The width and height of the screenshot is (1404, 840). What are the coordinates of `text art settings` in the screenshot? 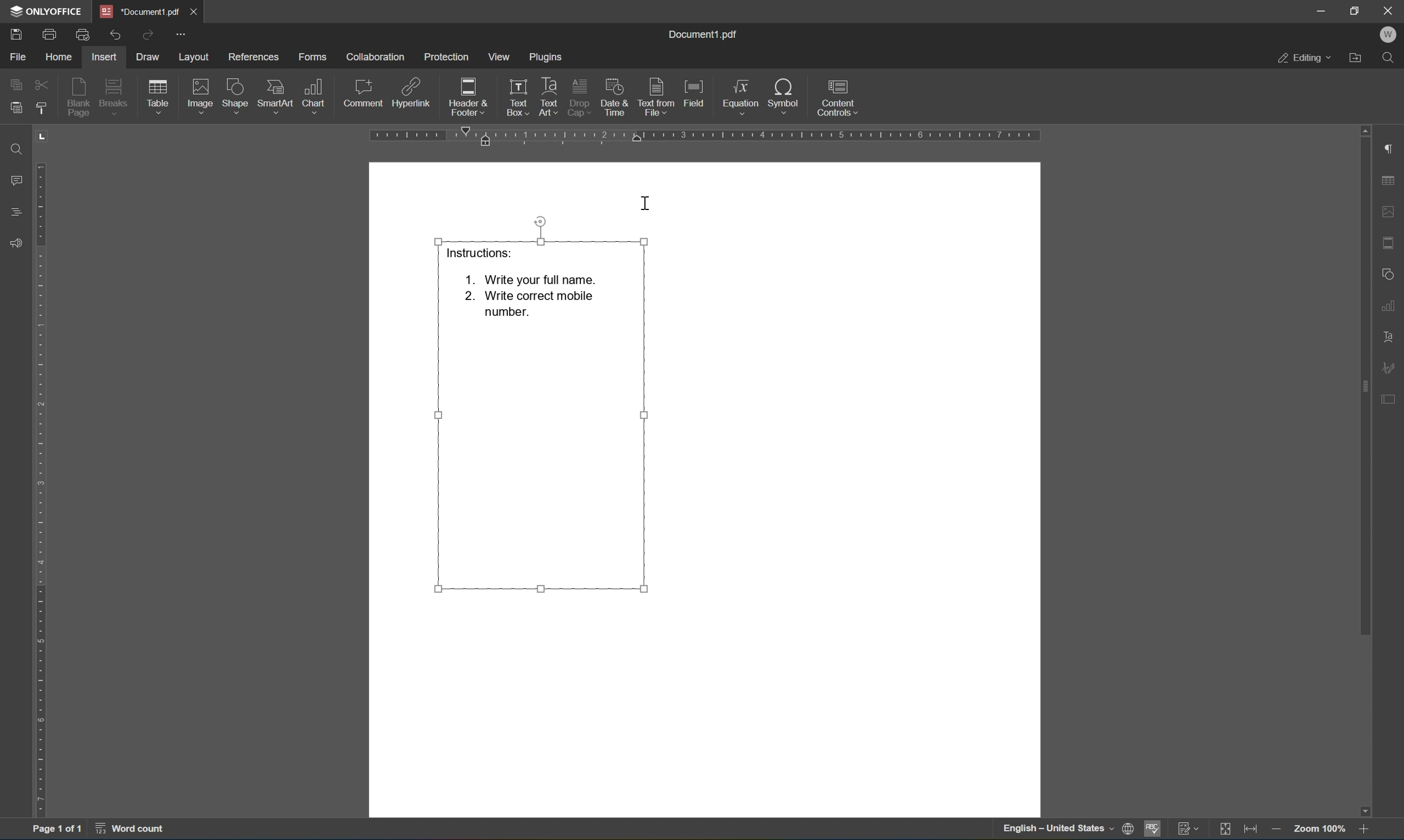 It's located at (1389, 338).